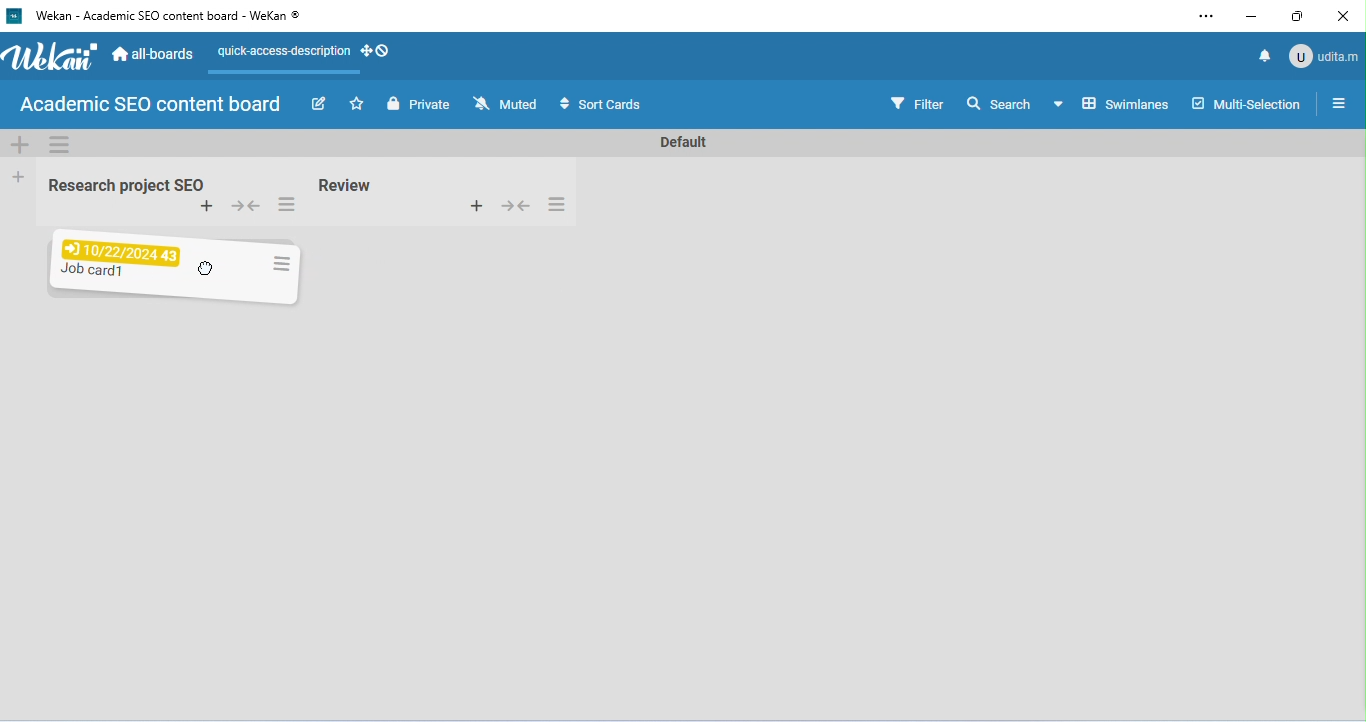 This screenshot has width=1366, height=722. I want to click on star this board, so click(358, 104).